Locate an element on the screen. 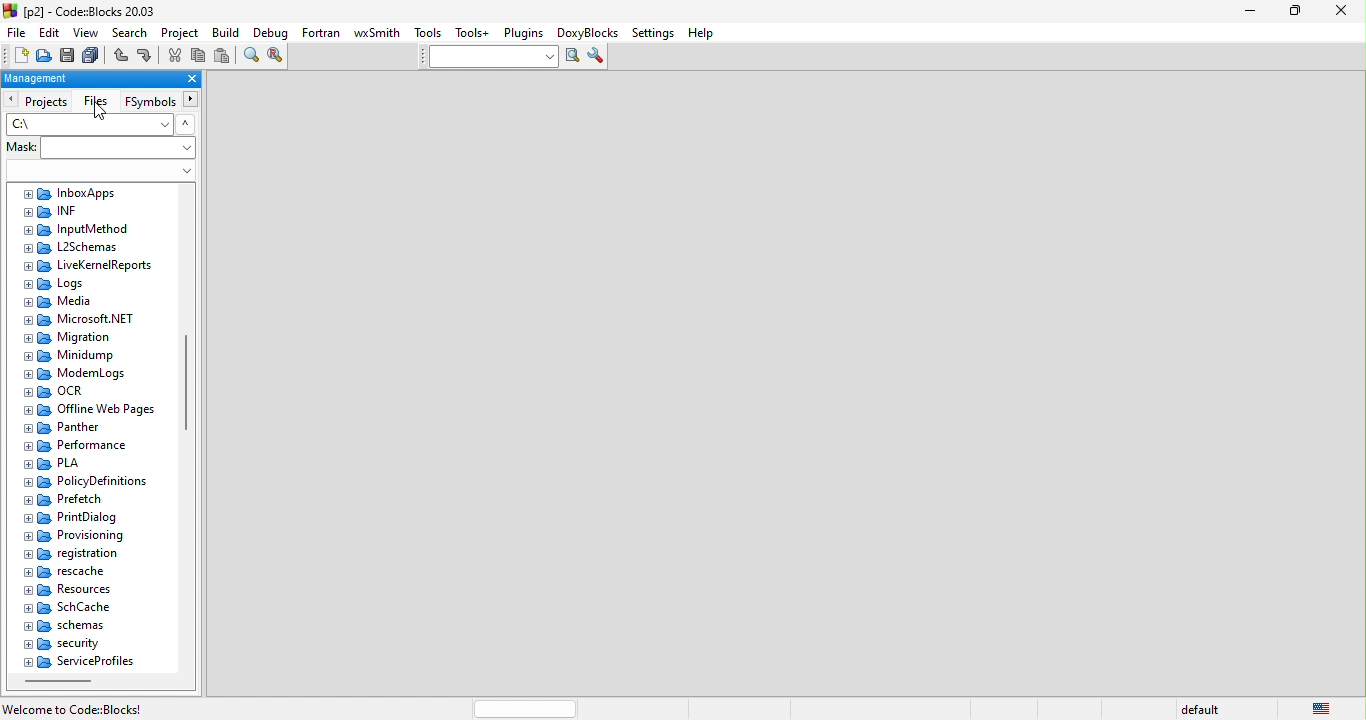  paste is located at coordinates (223, 56).